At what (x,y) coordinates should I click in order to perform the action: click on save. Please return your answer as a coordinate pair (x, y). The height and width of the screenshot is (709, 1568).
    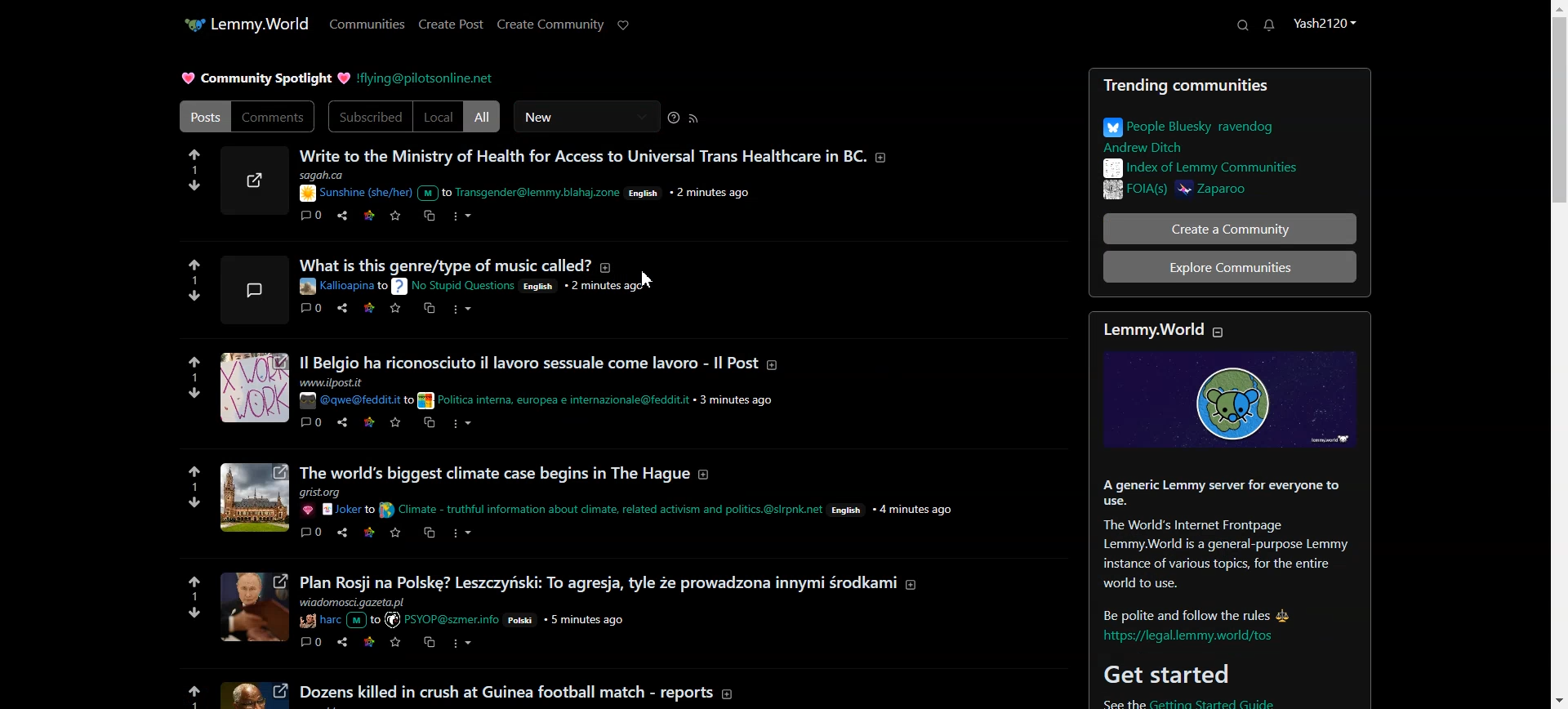
    Looking at the image, I should click on (399, 425).